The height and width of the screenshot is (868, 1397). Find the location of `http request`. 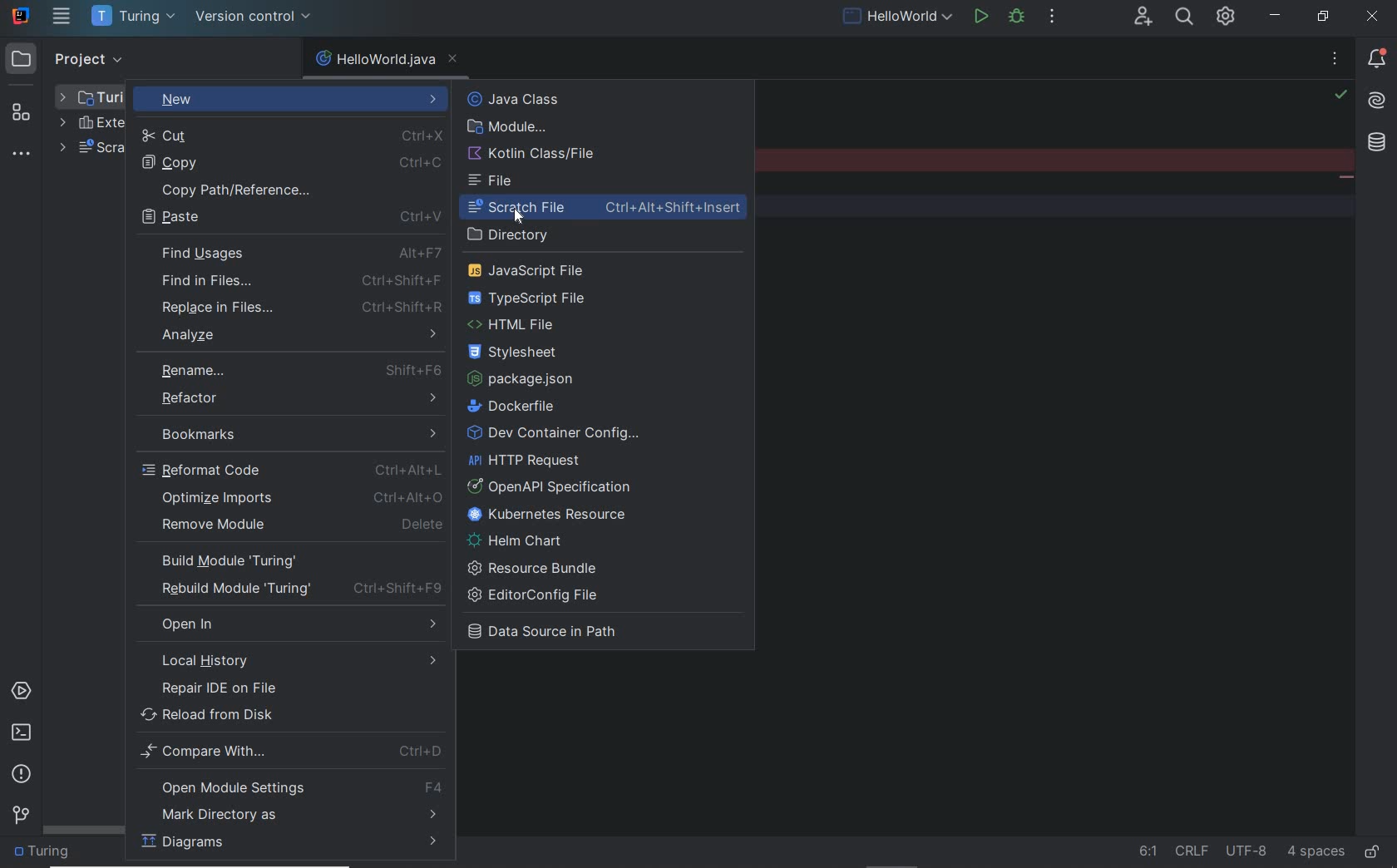

http request is located at coordinates (526, 461).